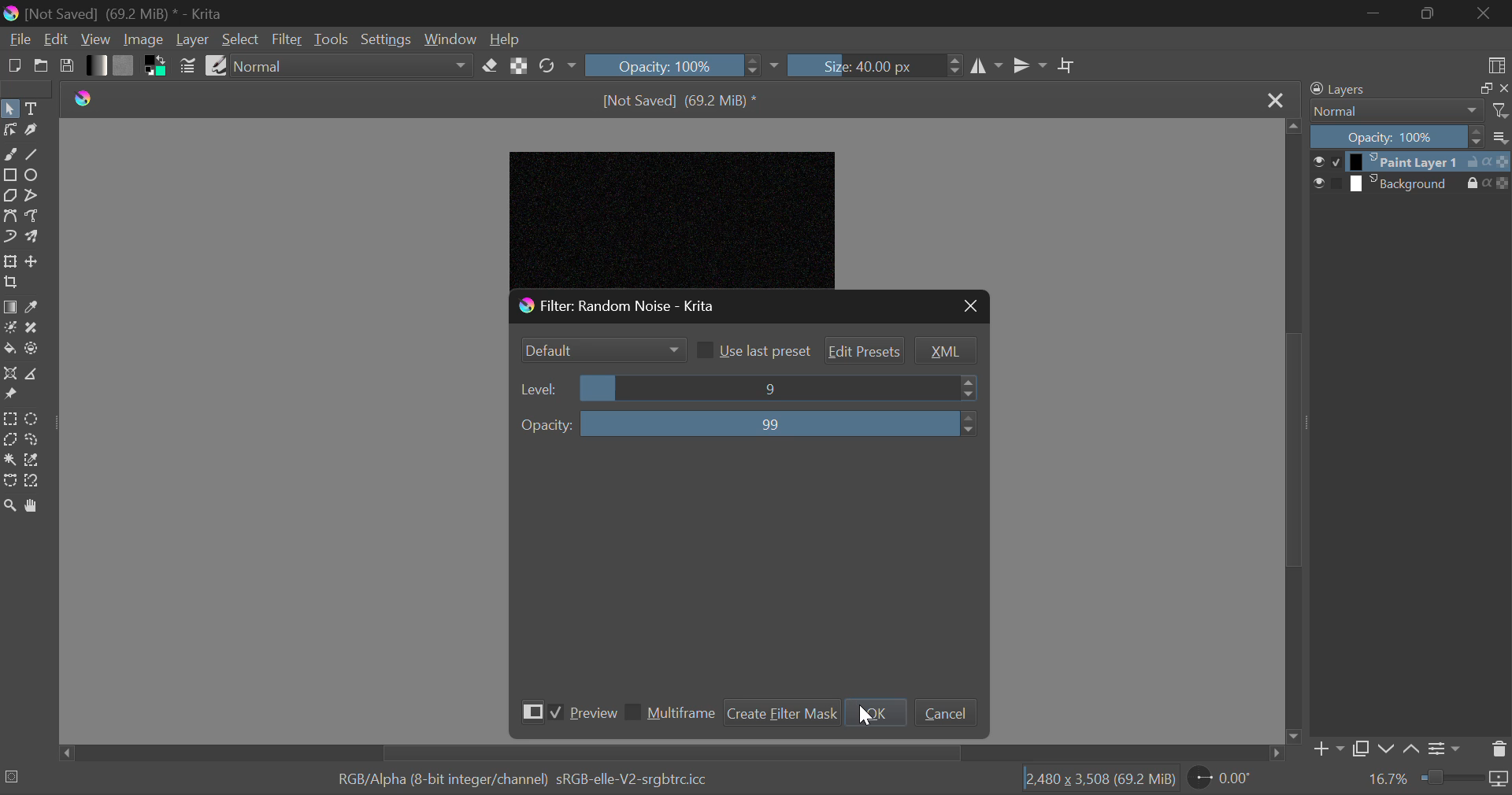  What do you see at coordinates (1495, 64) in the screenshot?
I see `Choose Workspace` at bounding box center [1495, 64].